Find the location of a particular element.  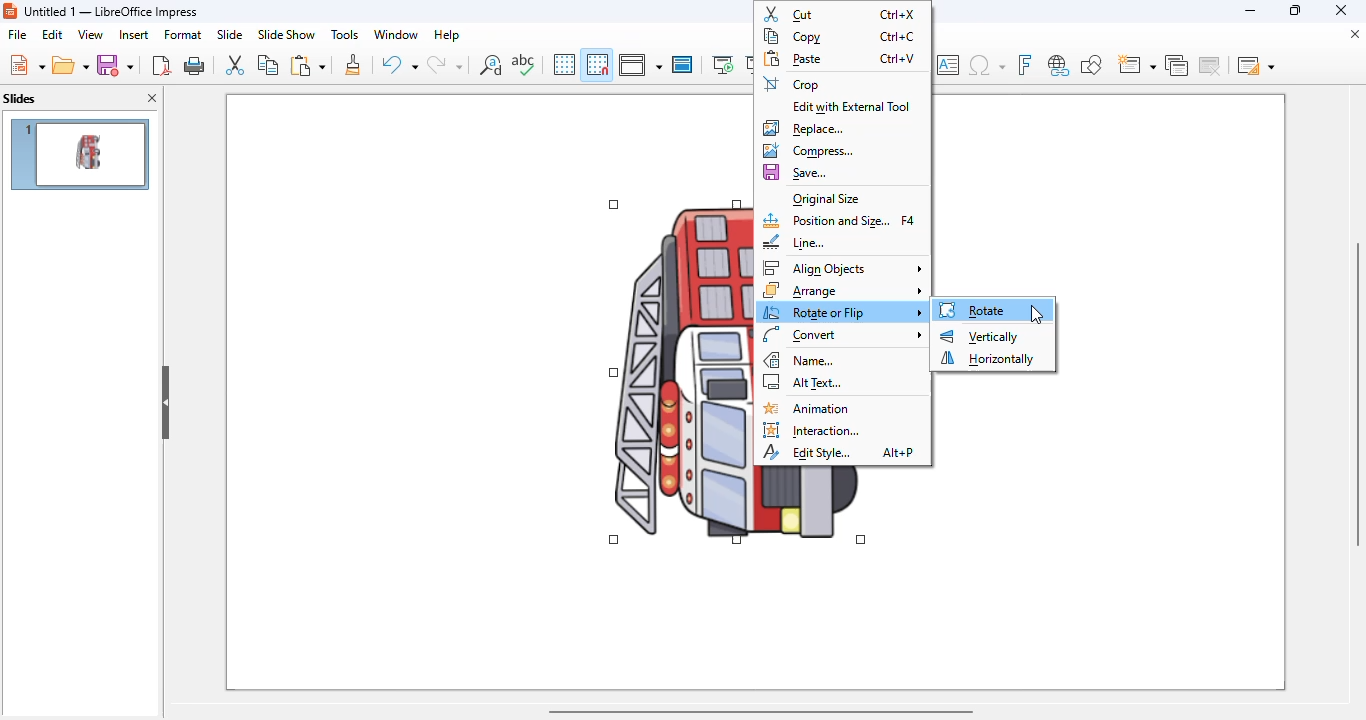

alt text is located at coordinates (804, 382).